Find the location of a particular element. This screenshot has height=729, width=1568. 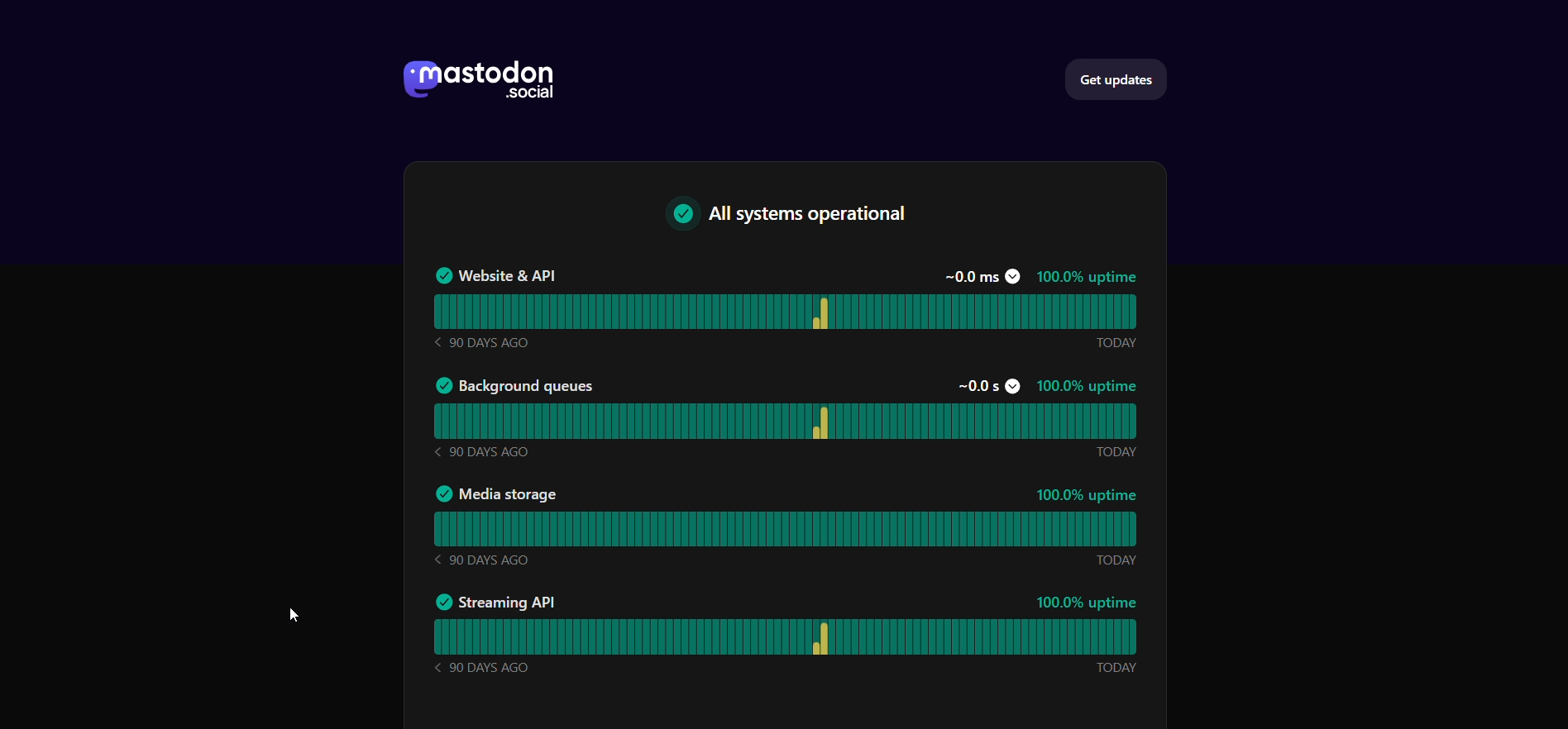

website and API status is located at coordinates (788, 308).